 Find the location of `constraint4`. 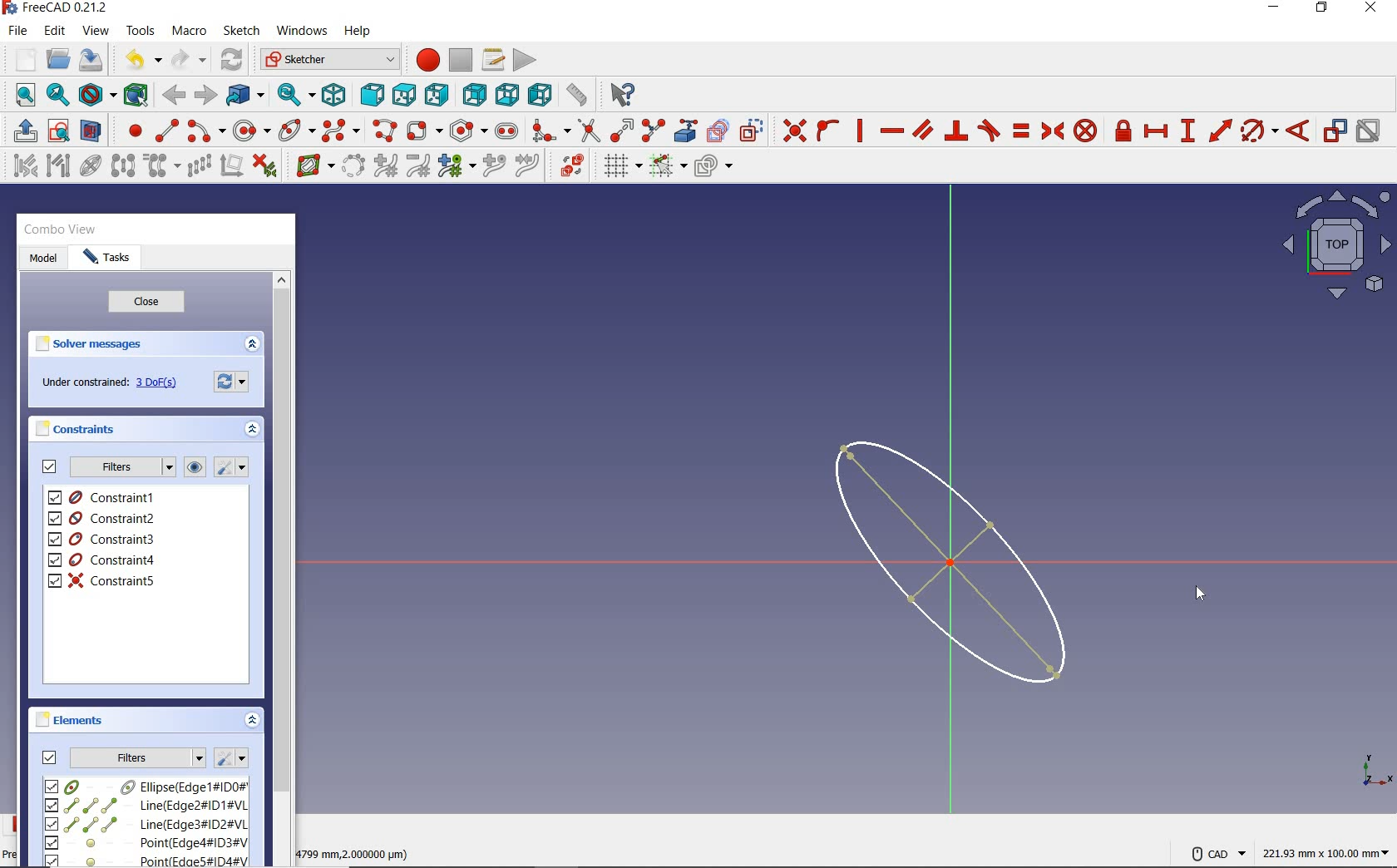

constraint4 is located at coordinates (102, 560).